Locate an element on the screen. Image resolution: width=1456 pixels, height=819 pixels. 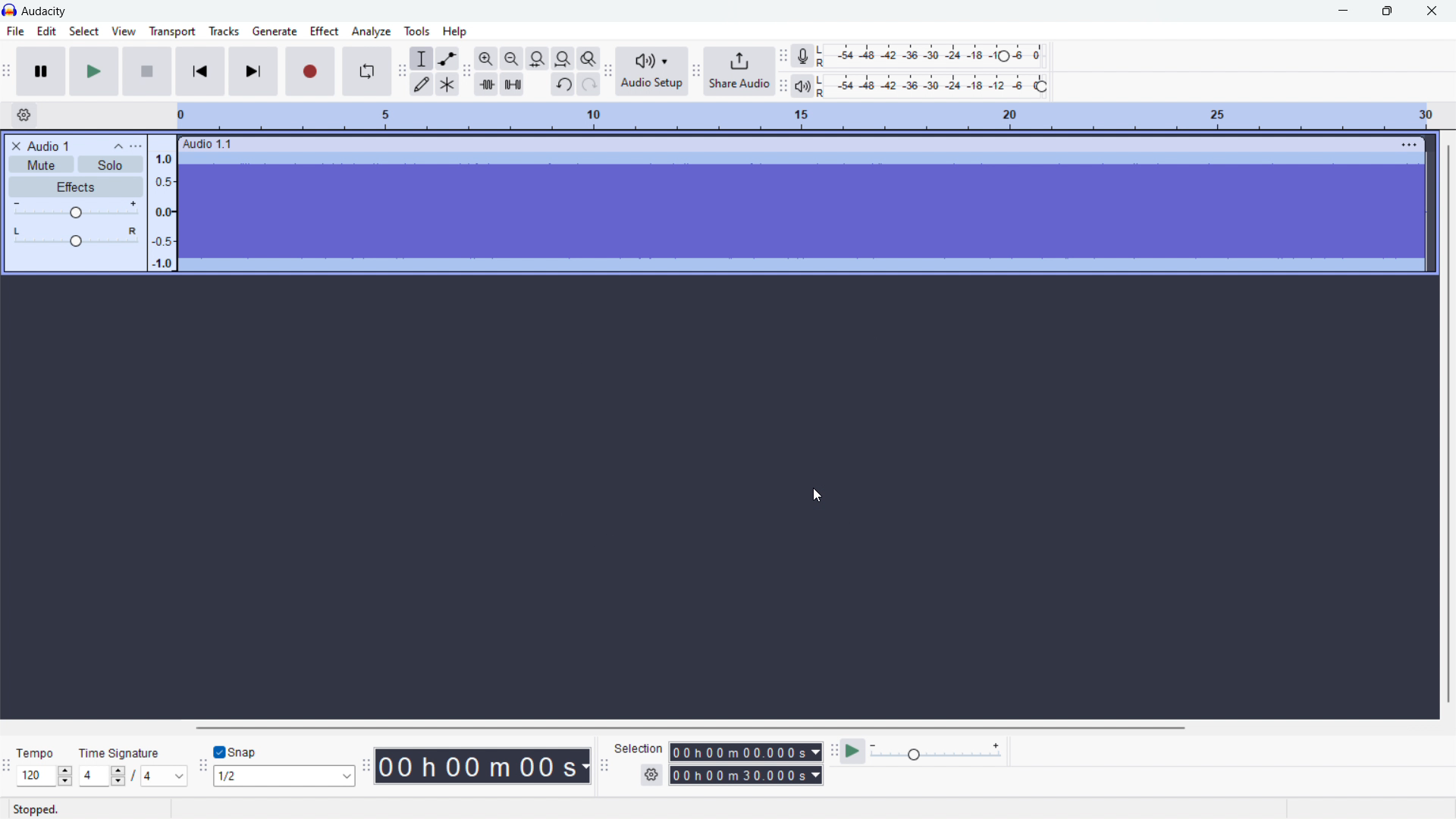
timeline is located at coordinates (809, 115).